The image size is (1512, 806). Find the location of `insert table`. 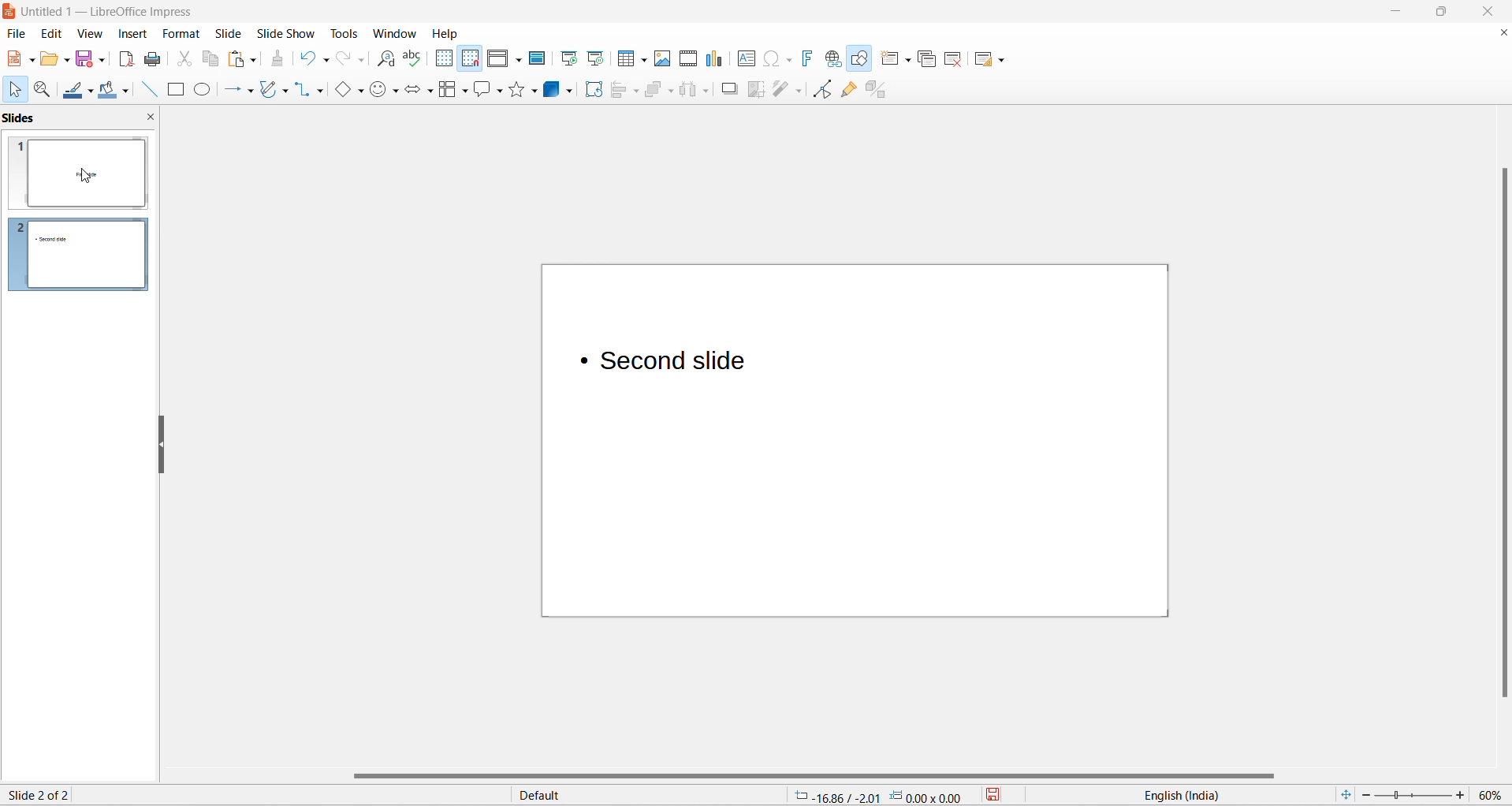

insert table is located at coordinates (625, 61).